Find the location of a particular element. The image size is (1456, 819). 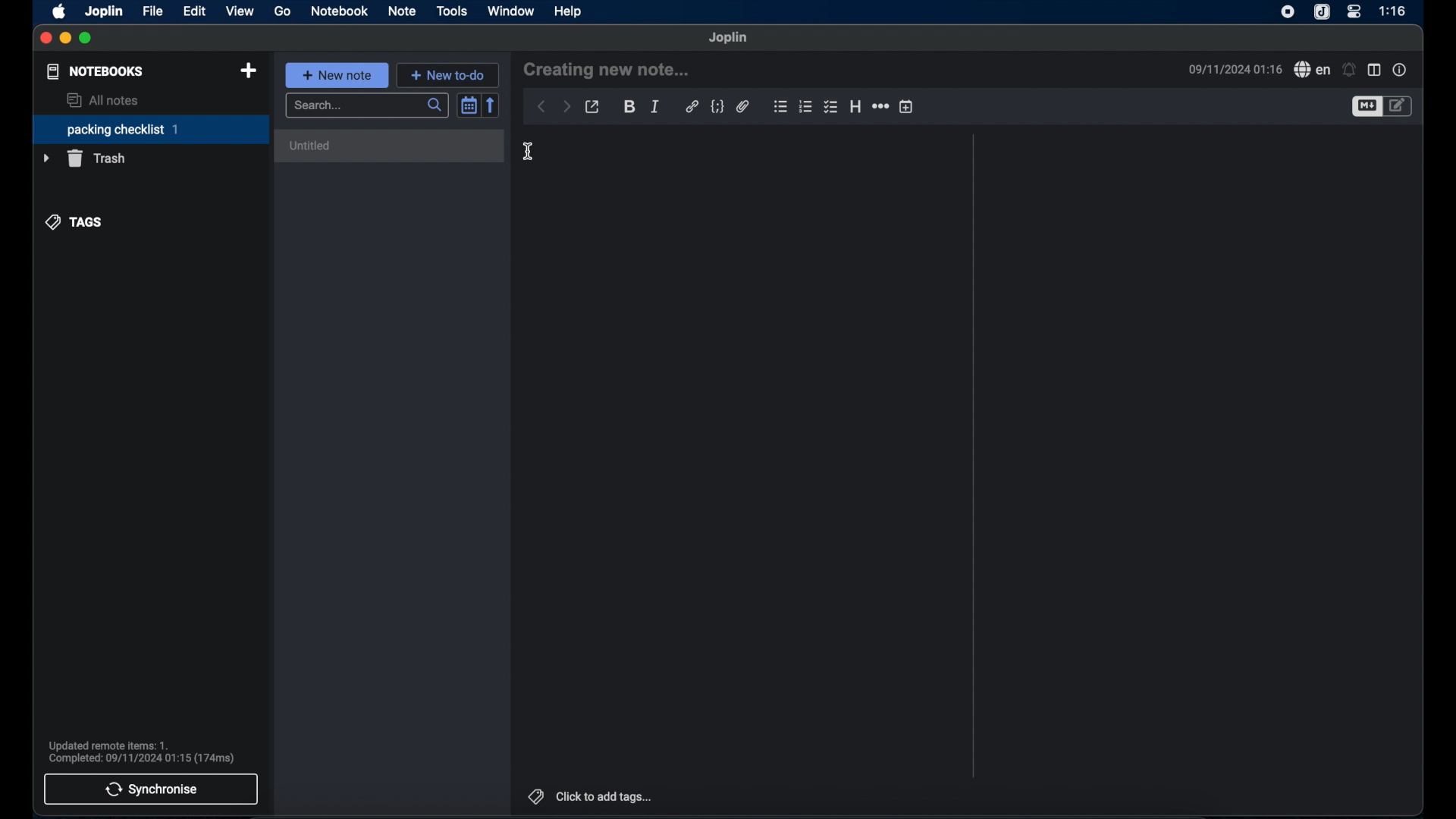

divider is located at coordinates (971, 456).